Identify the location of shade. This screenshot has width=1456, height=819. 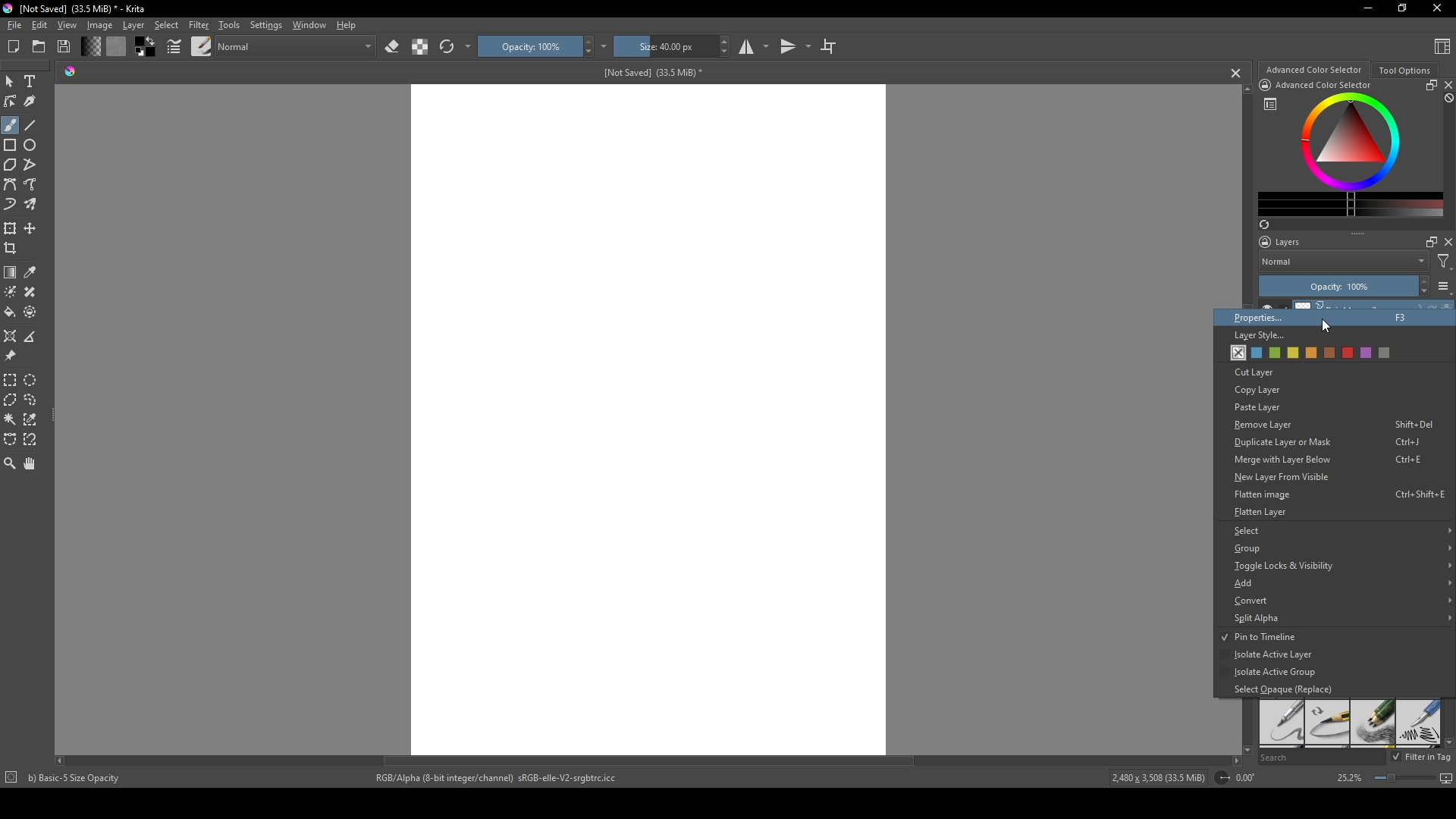
(70, 71).